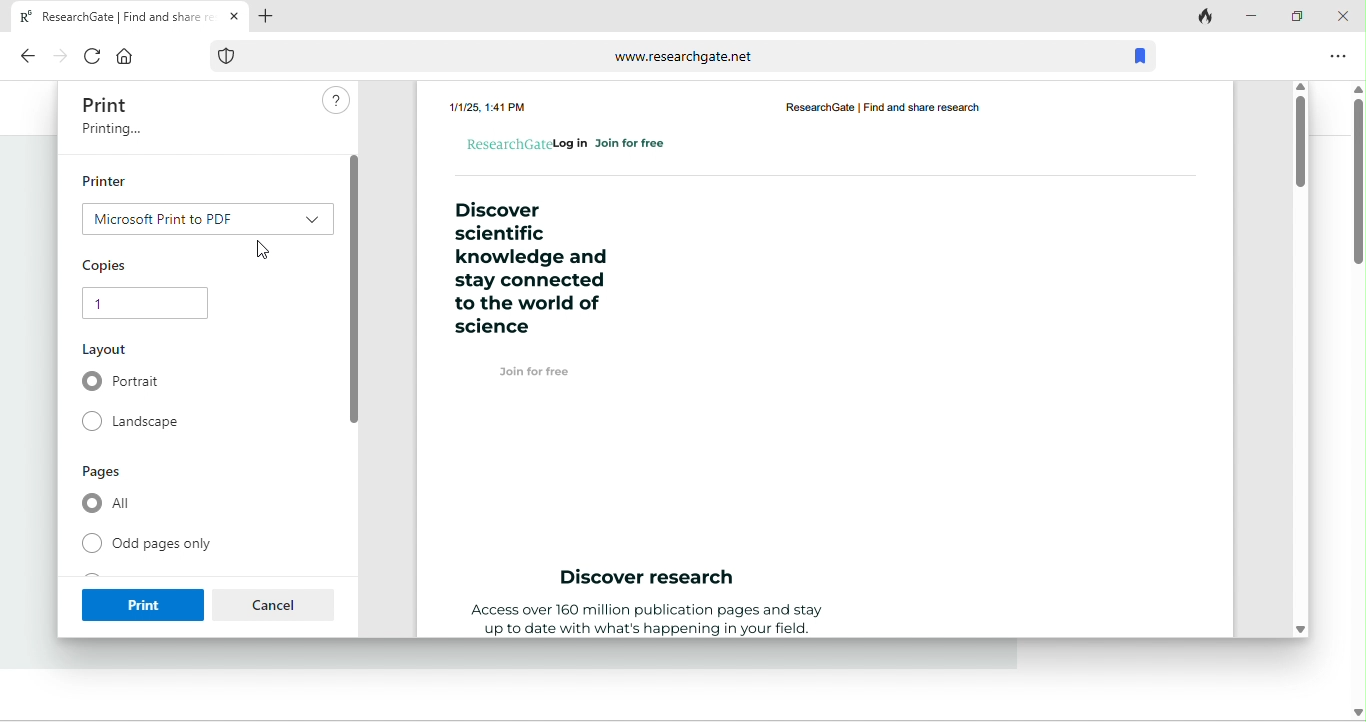  I want to click on vertical scroll bar, so click(1299, 140).